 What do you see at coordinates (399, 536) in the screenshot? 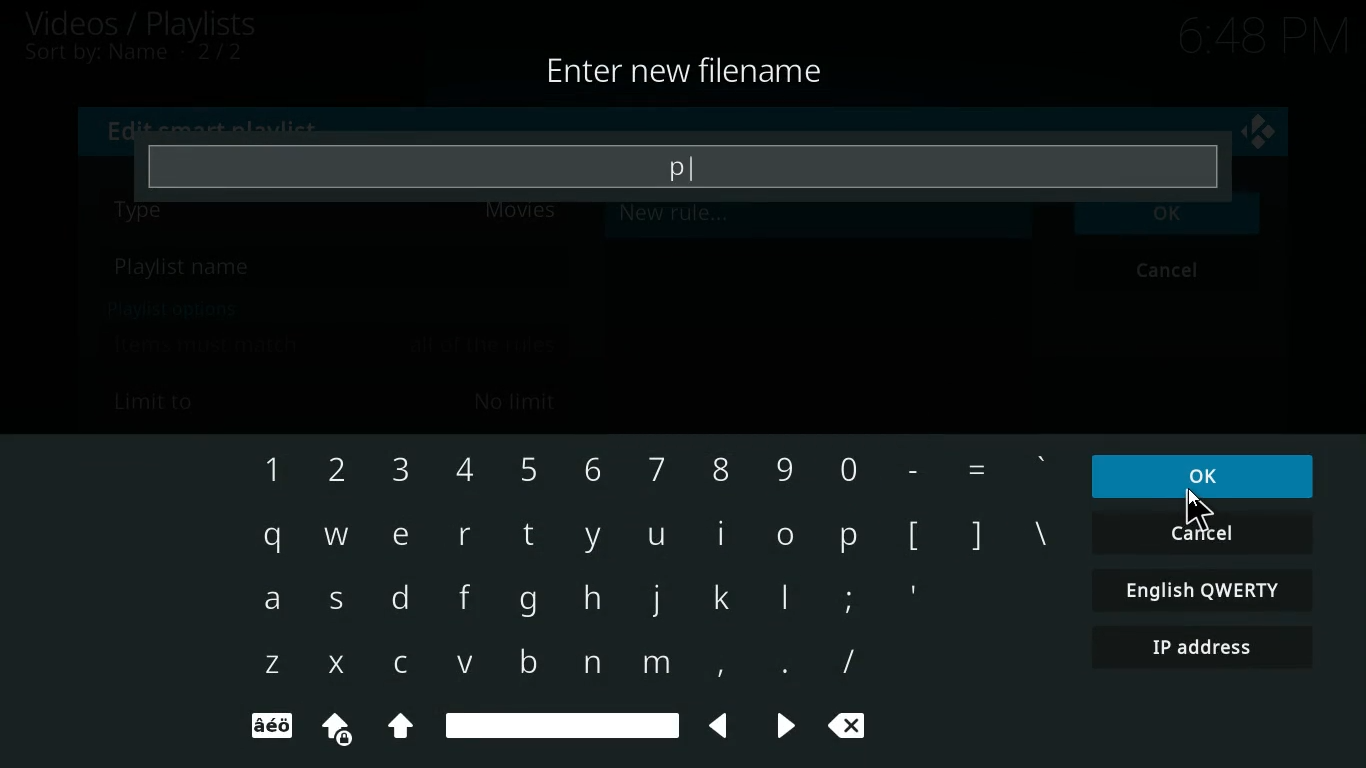
I see `e` at bounding box center [399, 536].